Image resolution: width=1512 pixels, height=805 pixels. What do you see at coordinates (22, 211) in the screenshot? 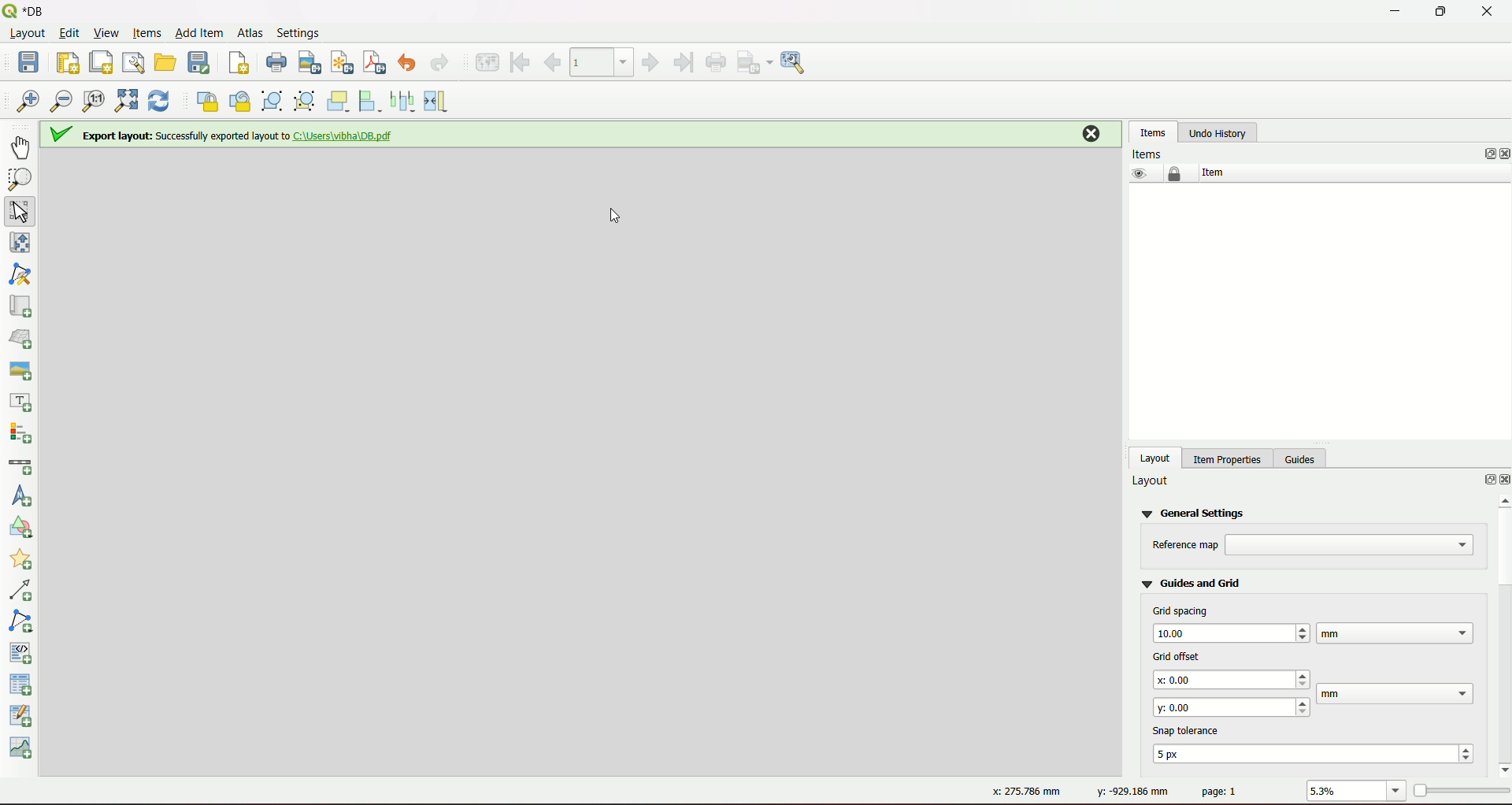
I see `select/move item` at bounding box center [22, 211].